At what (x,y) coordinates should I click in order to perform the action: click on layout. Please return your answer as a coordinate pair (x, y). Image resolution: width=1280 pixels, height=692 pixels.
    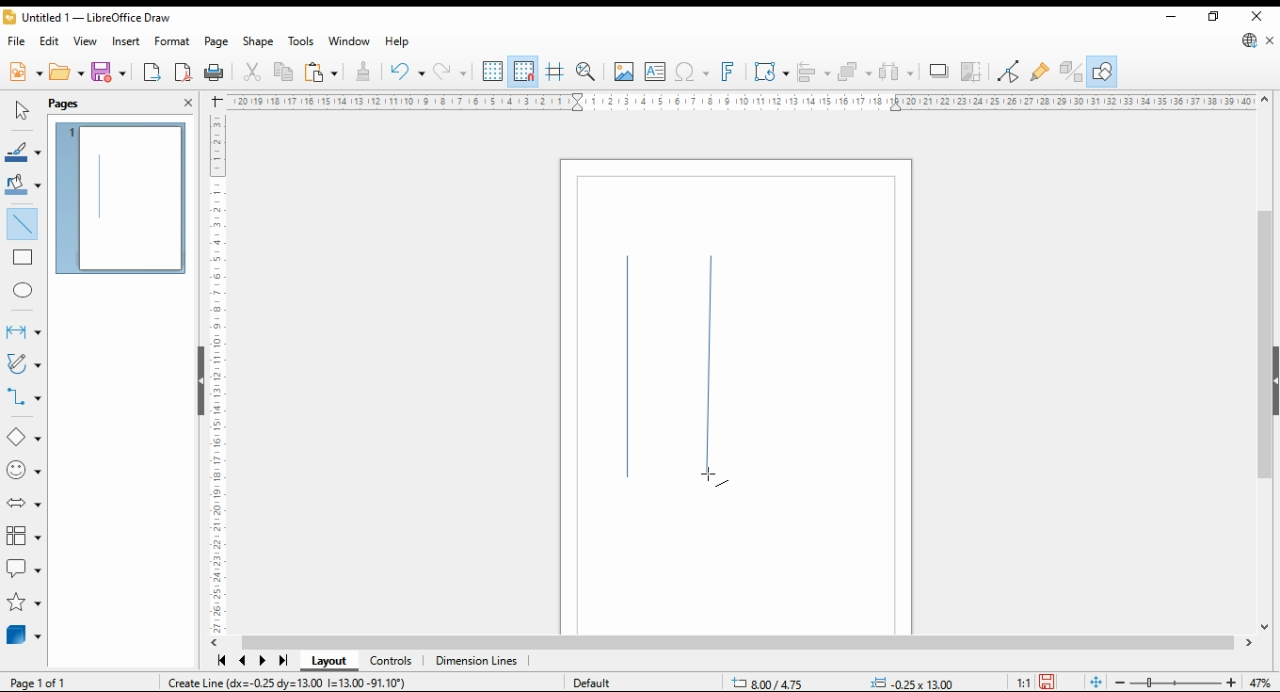
    Looking at the image, I should click on (328, 662).